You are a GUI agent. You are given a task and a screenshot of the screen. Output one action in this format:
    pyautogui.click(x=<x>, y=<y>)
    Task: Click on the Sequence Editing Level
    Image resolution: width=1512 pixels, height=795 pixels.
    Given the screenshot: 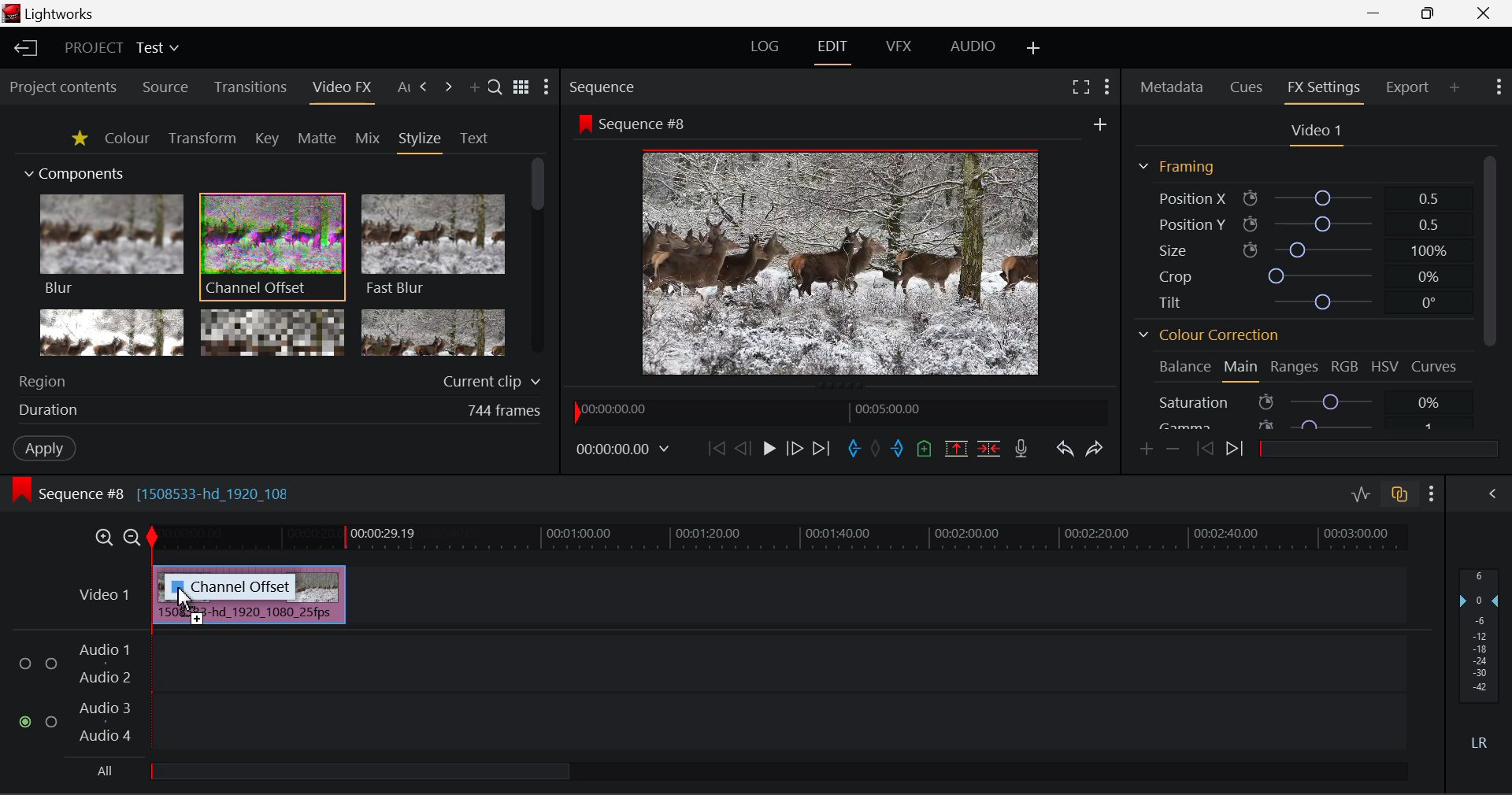 What is the action you would take?
    pyautogui.click(x=62, y=491)
    